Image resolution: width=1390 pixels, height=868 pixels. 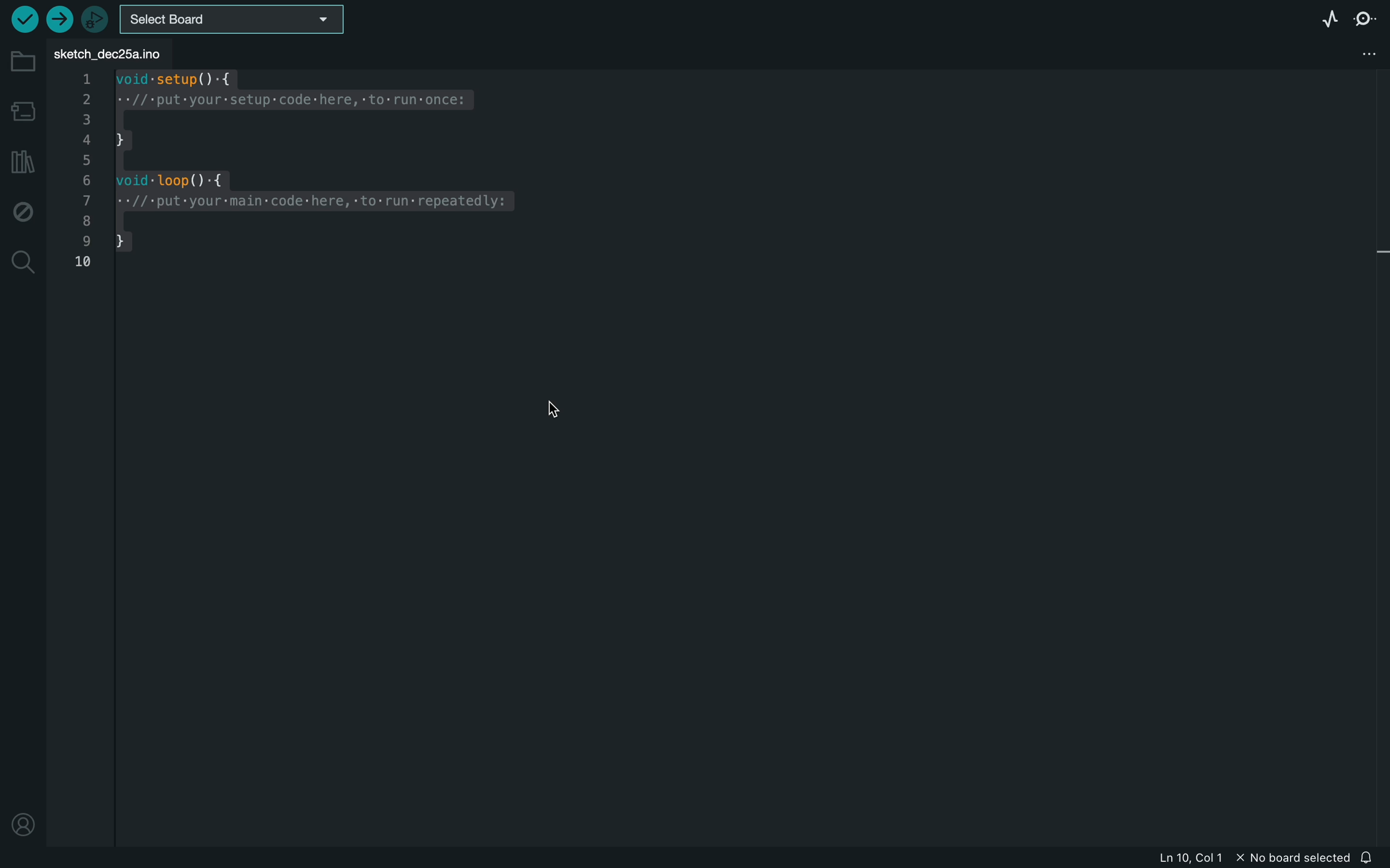 What do you see at coordinates (1356, 53) in the screenshot?
I see `file  setting` at bounding box center [1356, 53].